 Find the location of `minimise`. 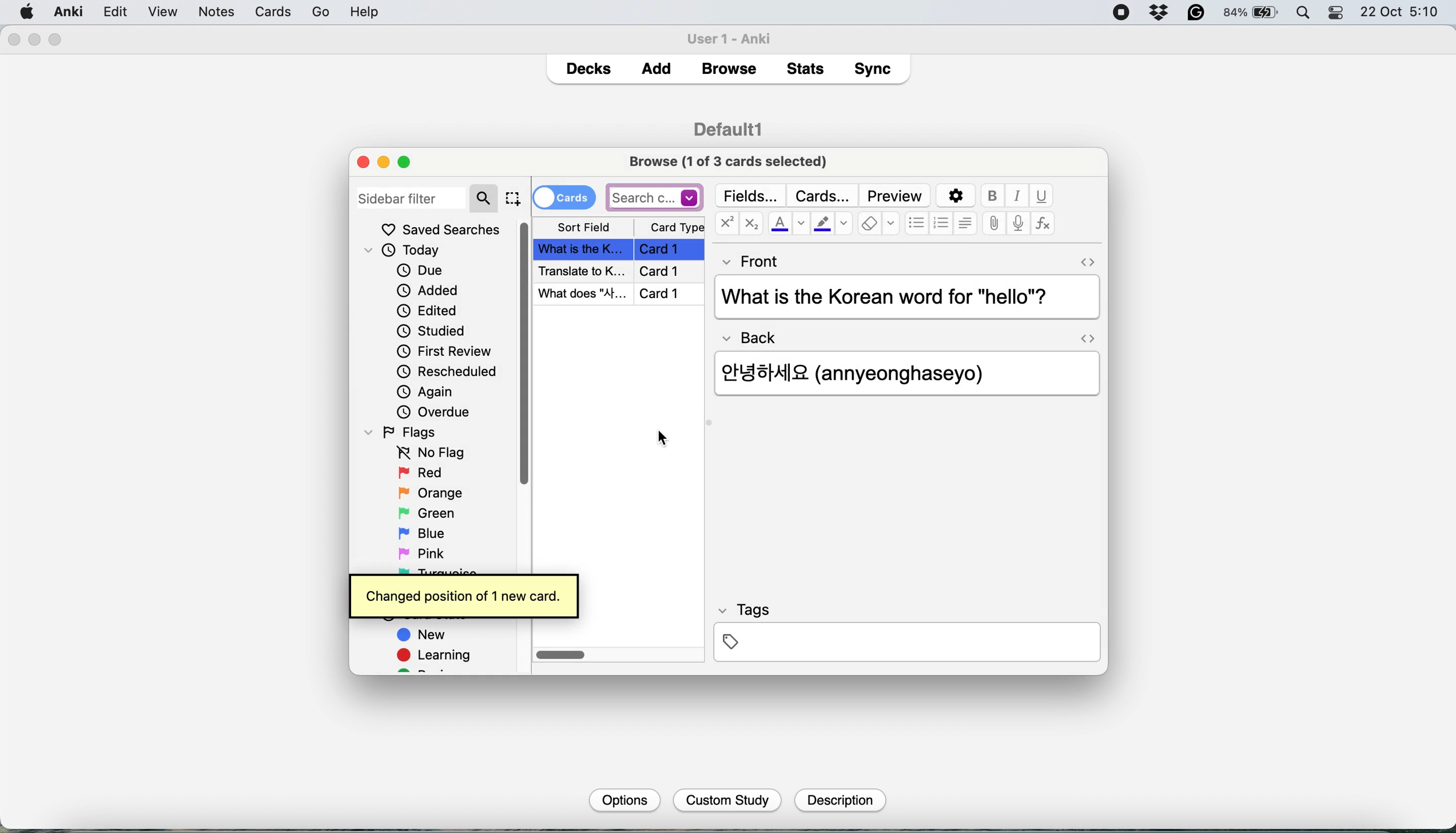

minimise is located at coordinates (35, 39).